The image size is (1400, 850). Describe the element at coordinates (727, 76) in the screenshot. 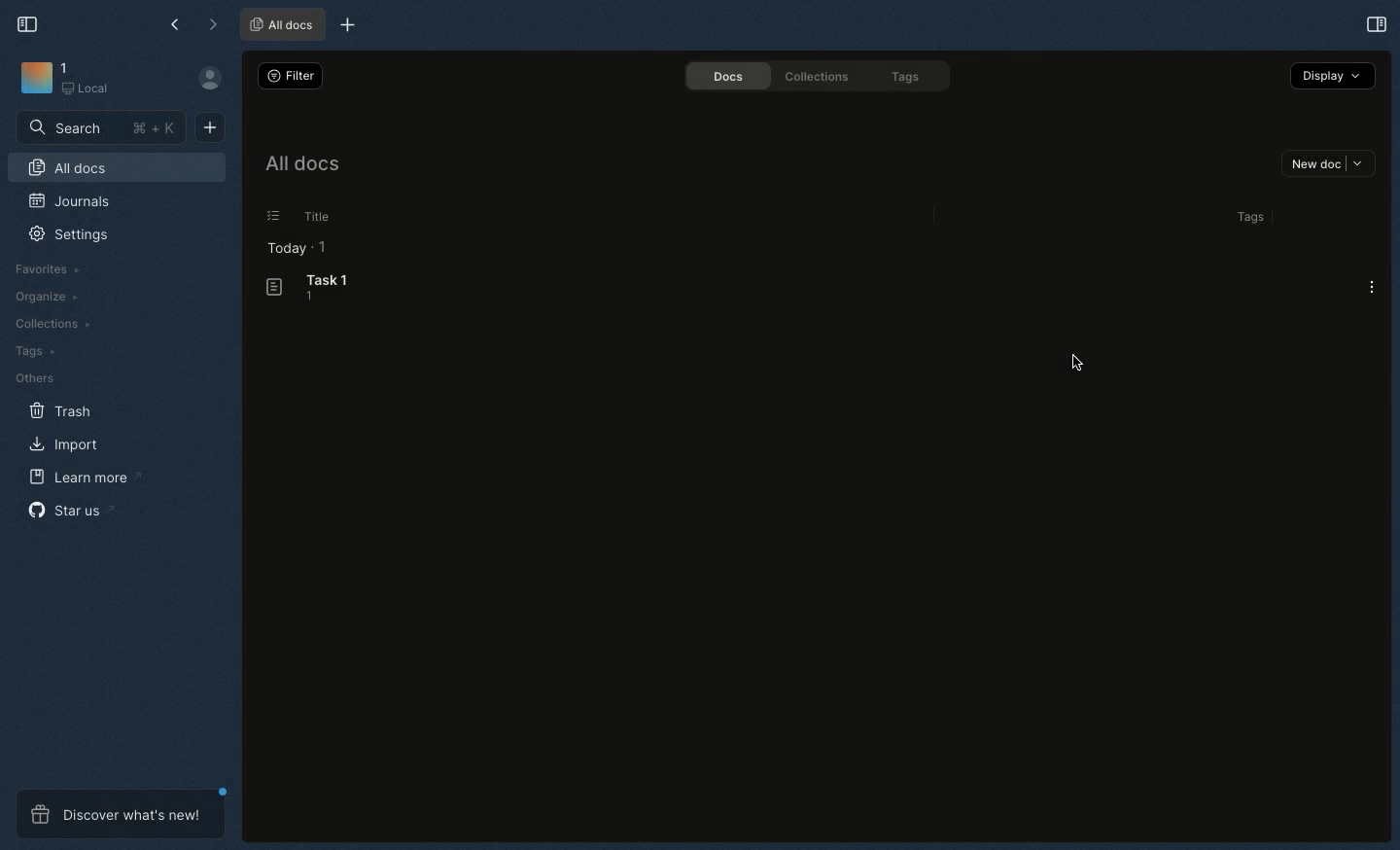

I see `Docs` at that location.